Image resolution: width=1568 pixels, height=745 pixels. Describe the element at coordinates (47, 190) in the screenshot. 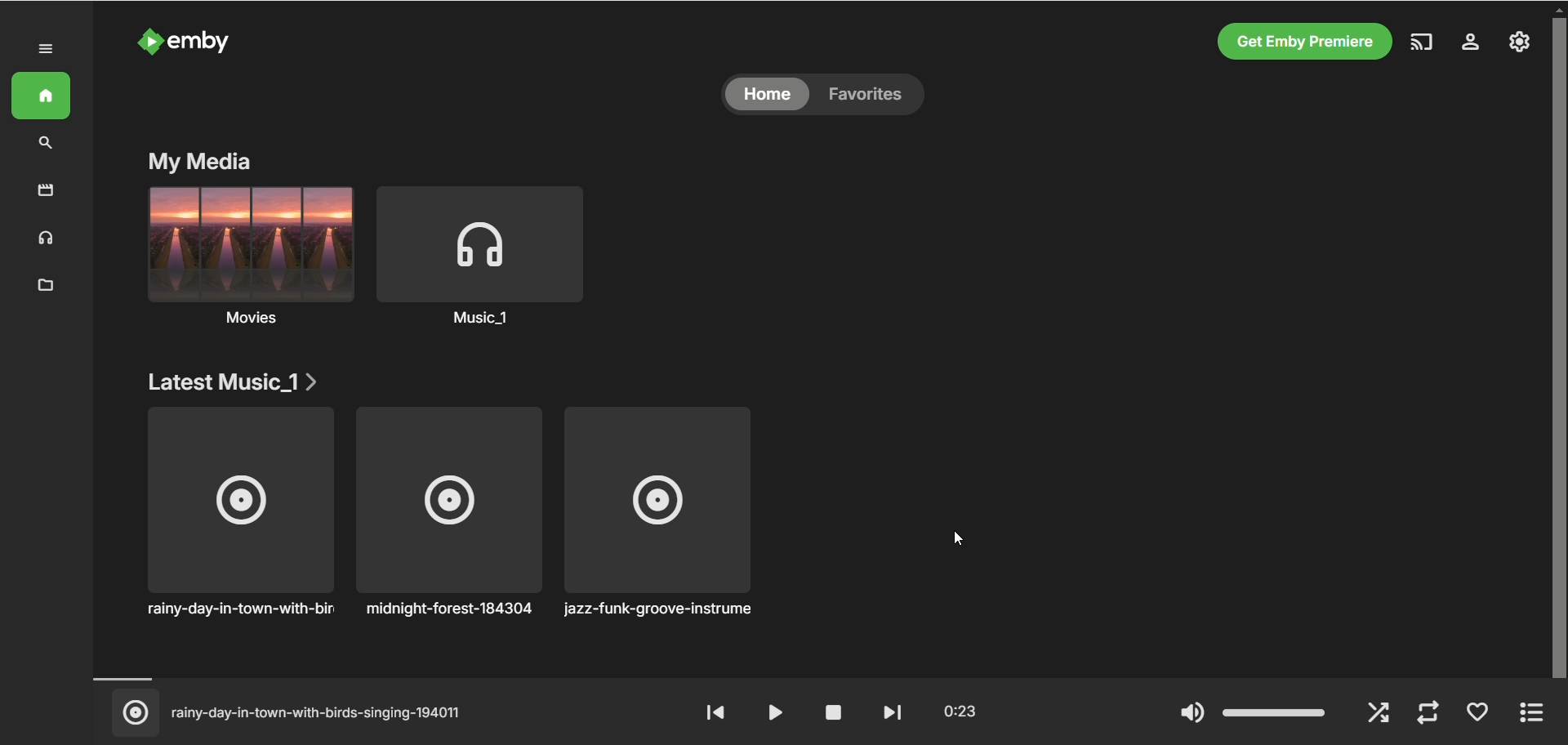

I see `movies` at that location.